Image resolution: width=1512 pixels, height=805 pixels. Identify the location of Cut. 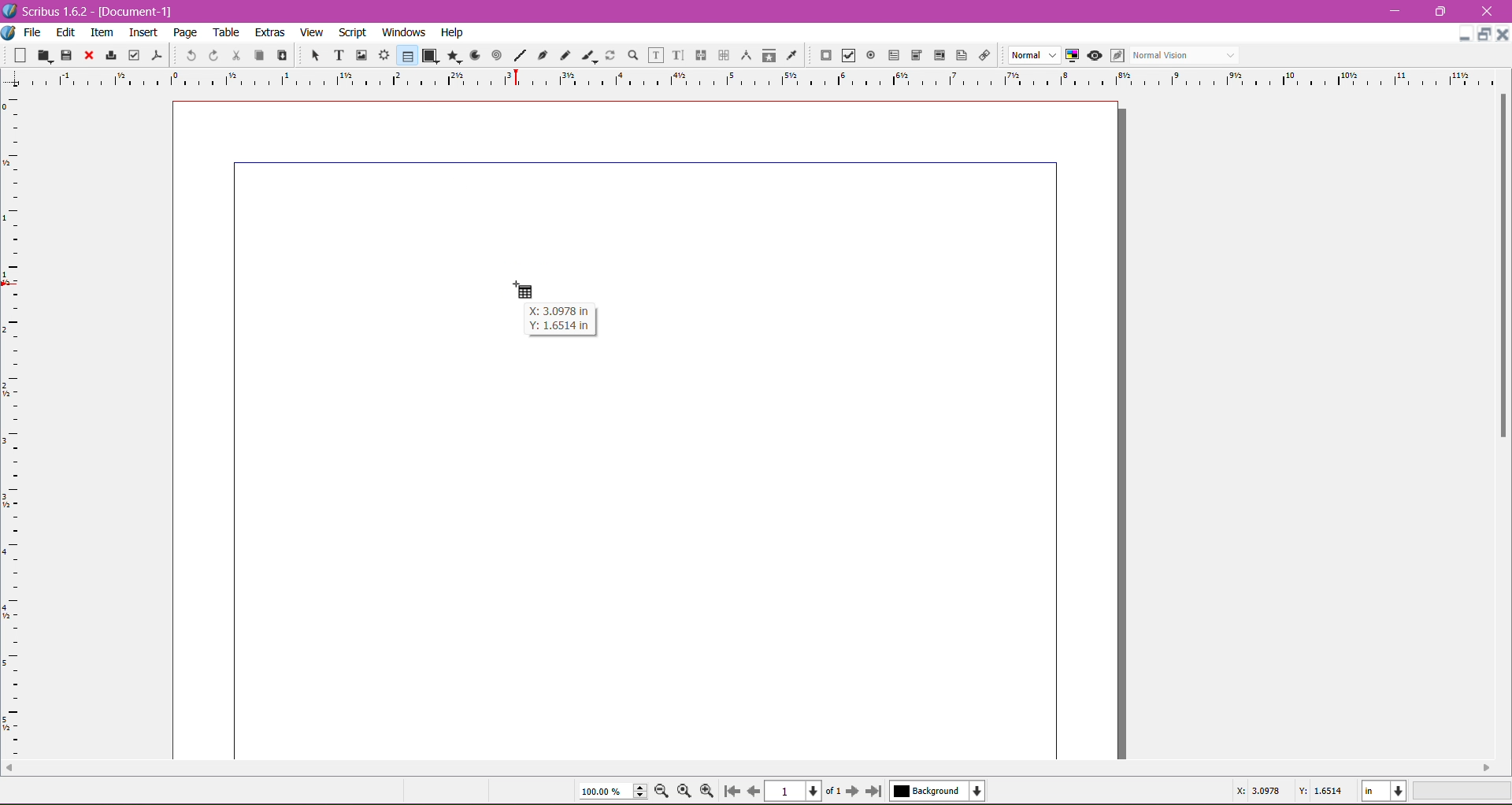
(233, 54).